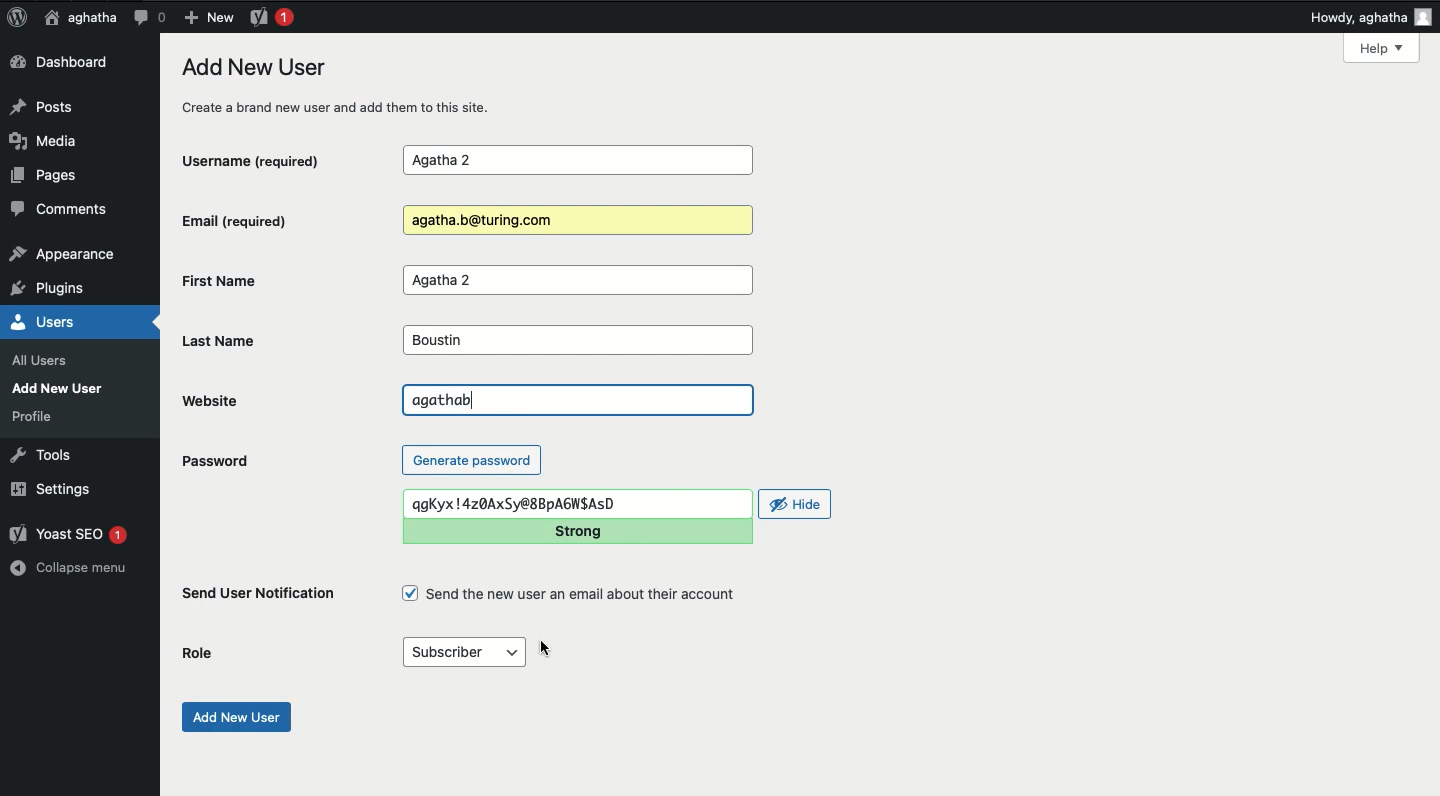  What do you see at coordinates (234, 717) in the screenshot?
I see `Add new user` at bounding box center [234, 717].